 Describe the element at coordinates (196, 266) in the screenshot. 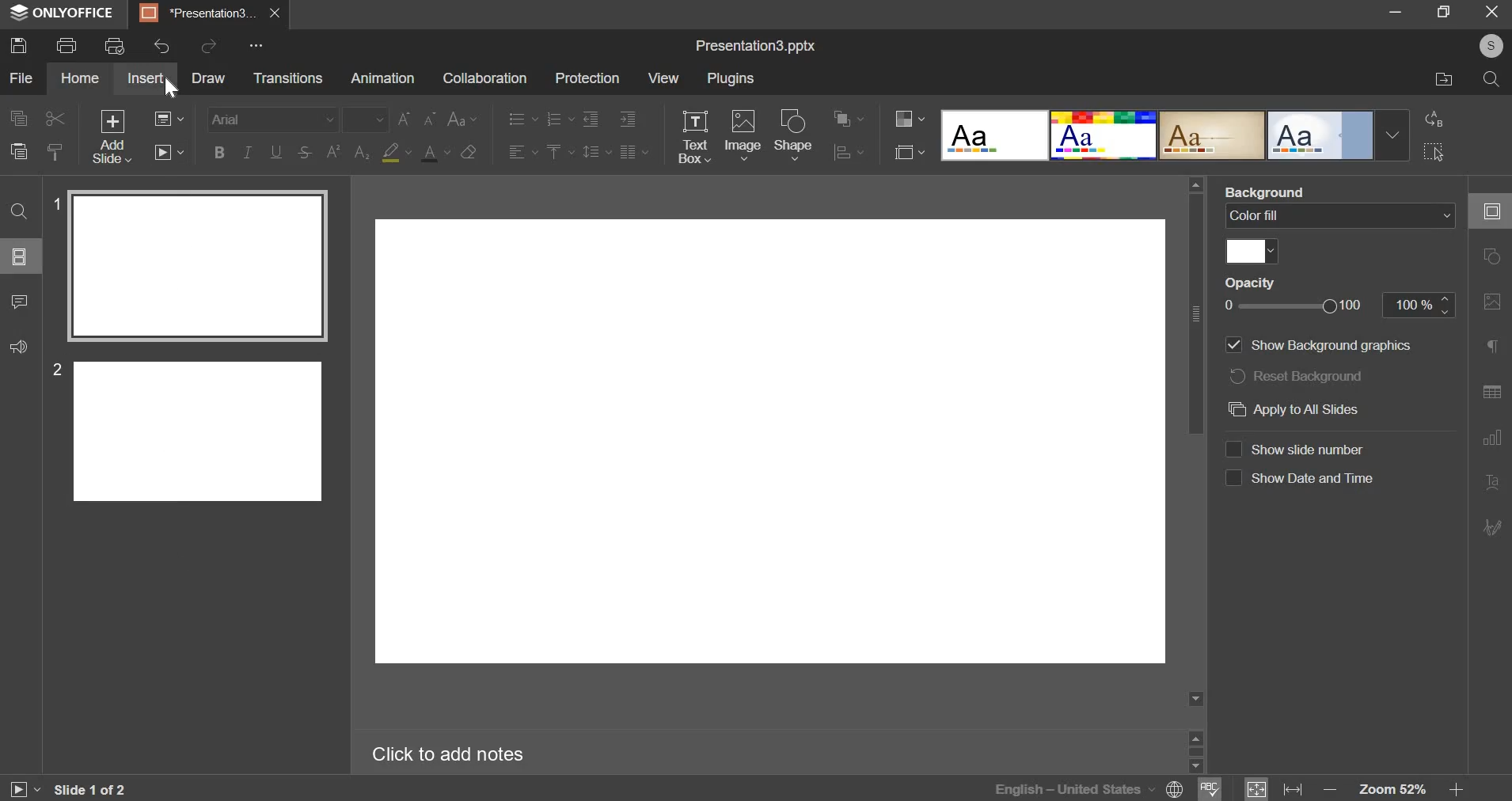

I see `slide 1 preview` at that location.